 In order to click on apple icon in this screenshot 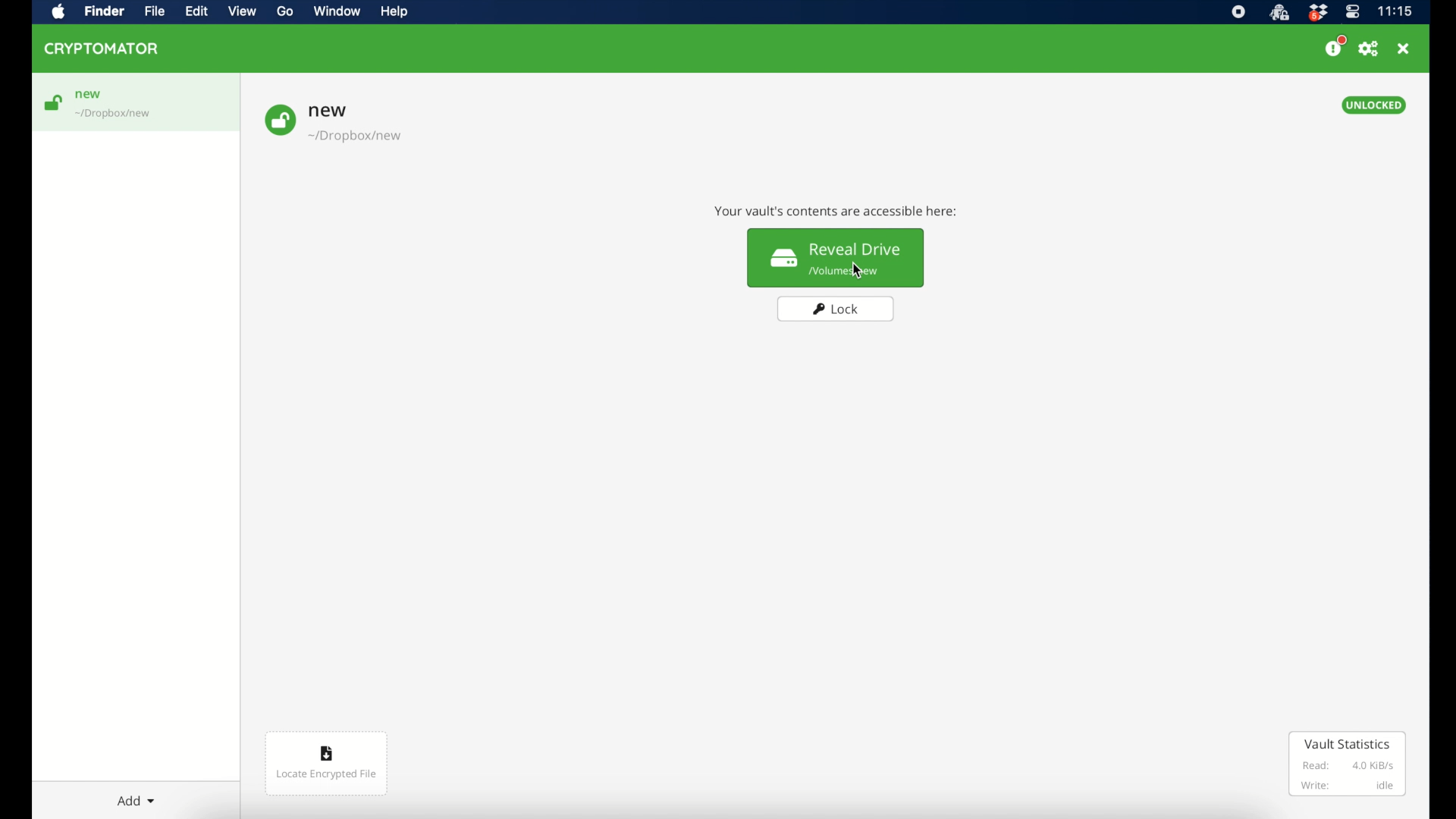, I will do `click(59, 13)`.